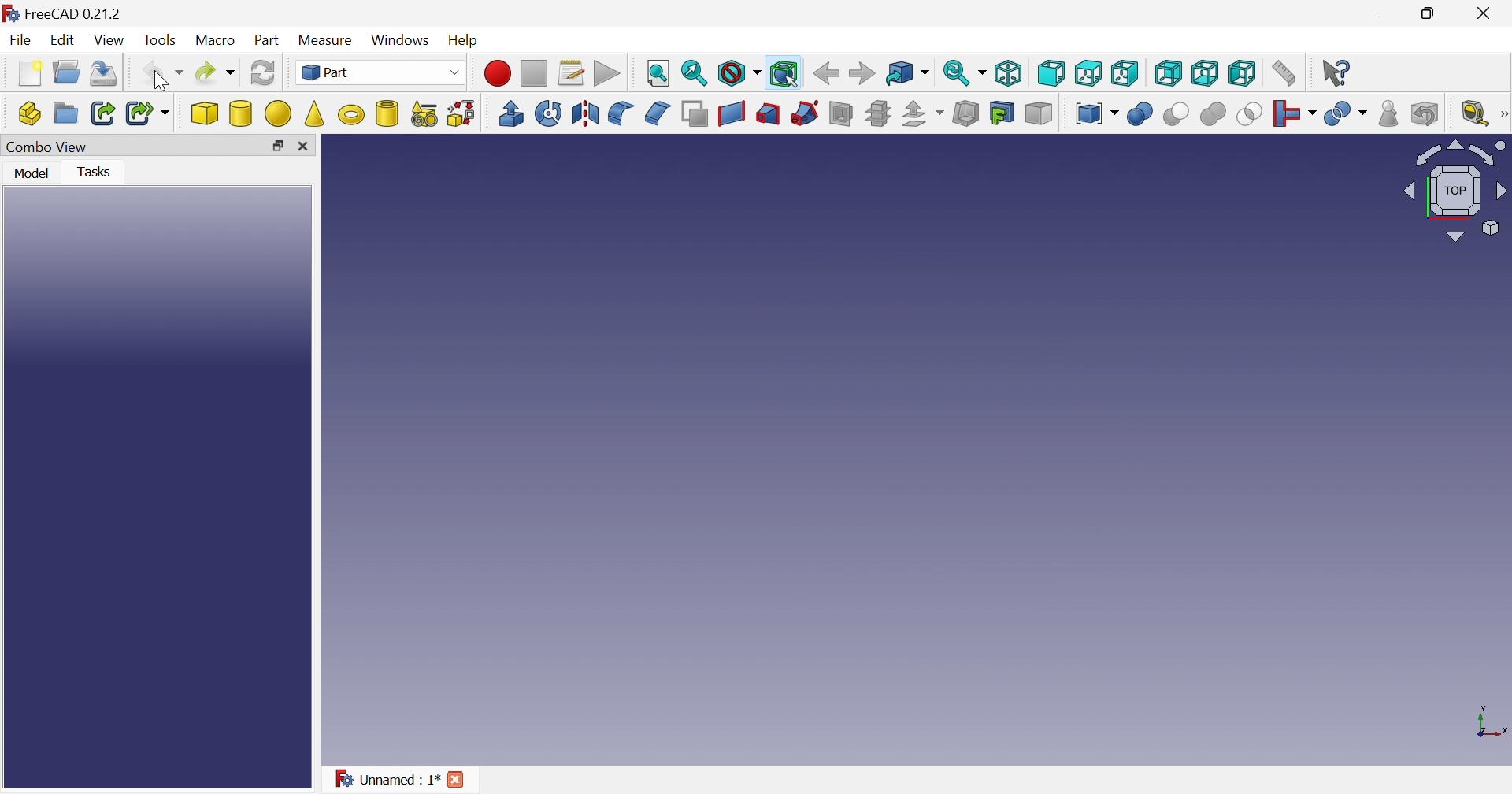 The height and width of the screenshot is (794, 1512). What do you see at coordinates (1038, 113) in the screenshot?
I see `Color per face` at bounding box center [1038, 113].